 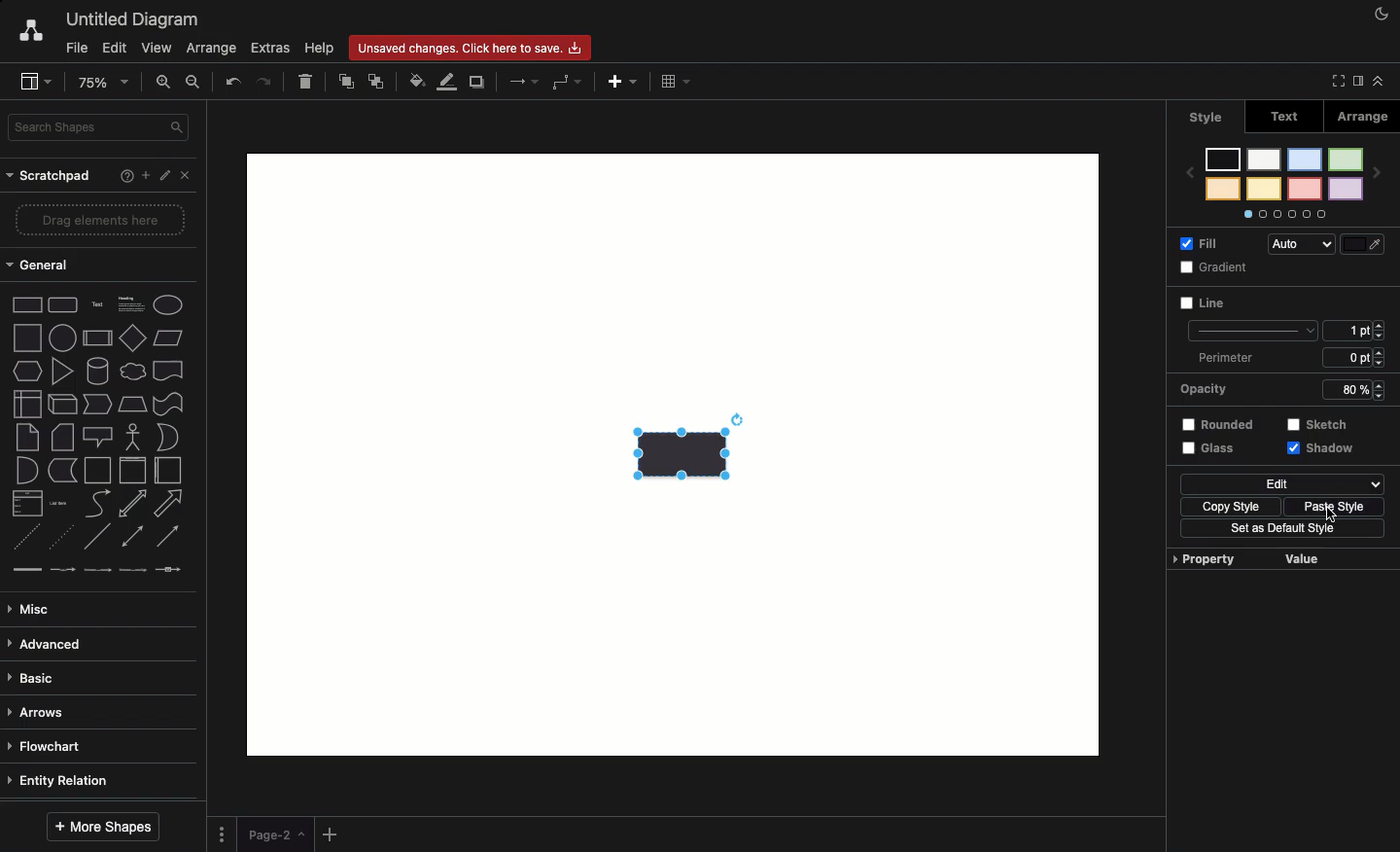 What do you see at coordinates (27, 306) in the screenshot?
I see `Rectangle ` at bounding box center [27, 306].